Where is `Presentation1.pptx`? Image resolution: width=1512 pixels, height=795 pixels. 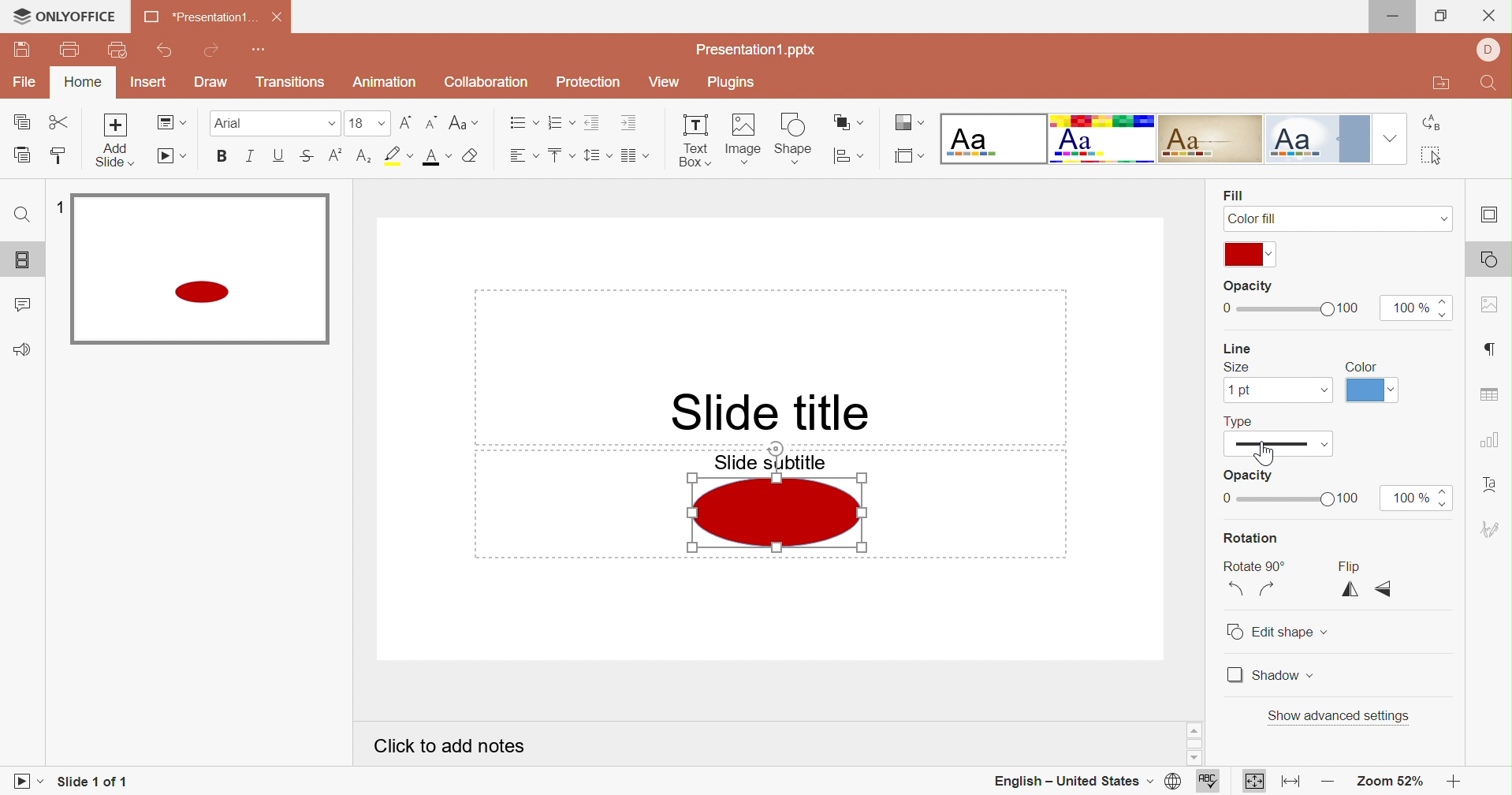
Presentation1.pptx is located at coordinates (757, 51).